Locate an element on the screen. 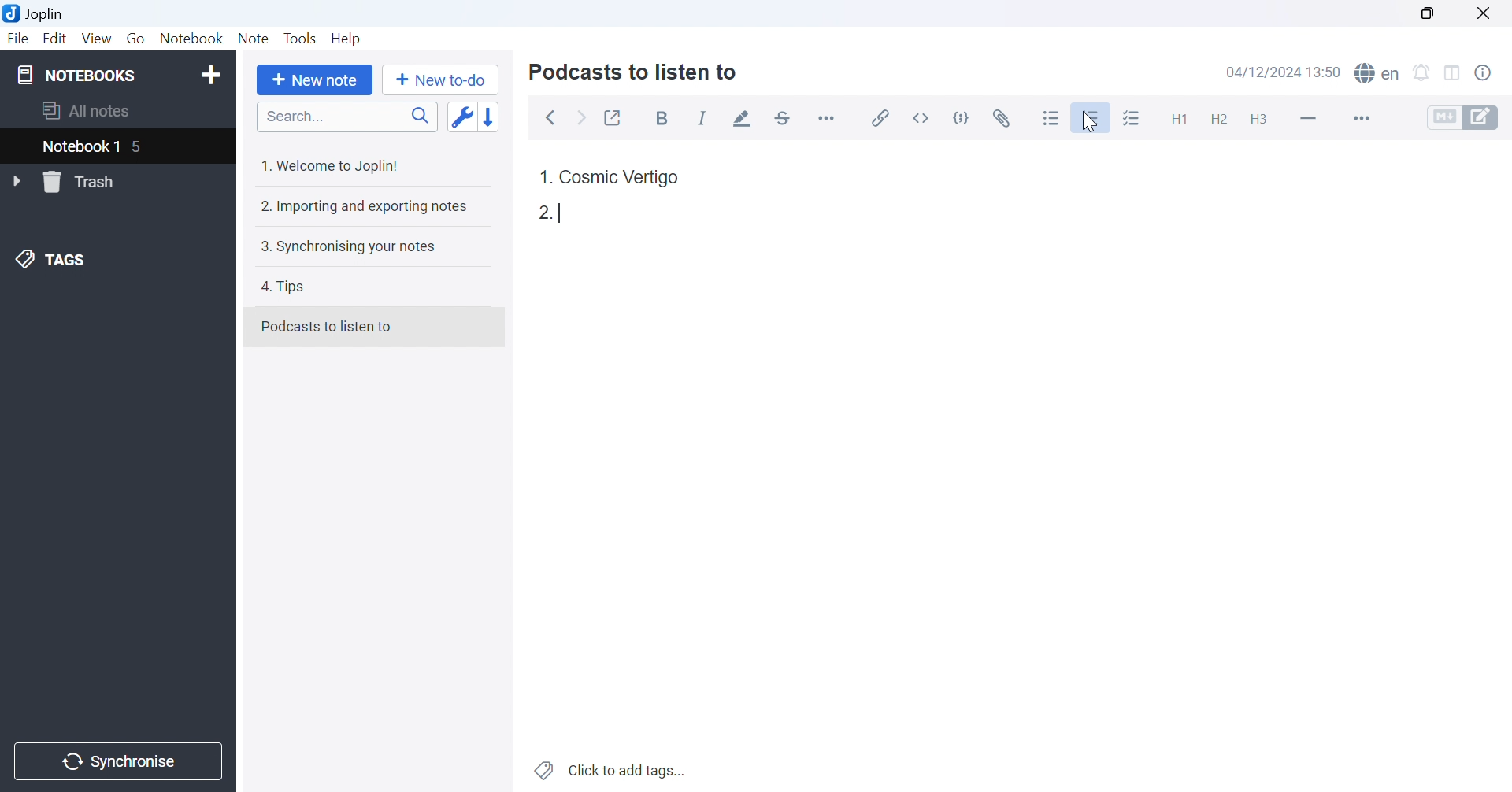  Toggle external editing is located at coordinates (613, 116).